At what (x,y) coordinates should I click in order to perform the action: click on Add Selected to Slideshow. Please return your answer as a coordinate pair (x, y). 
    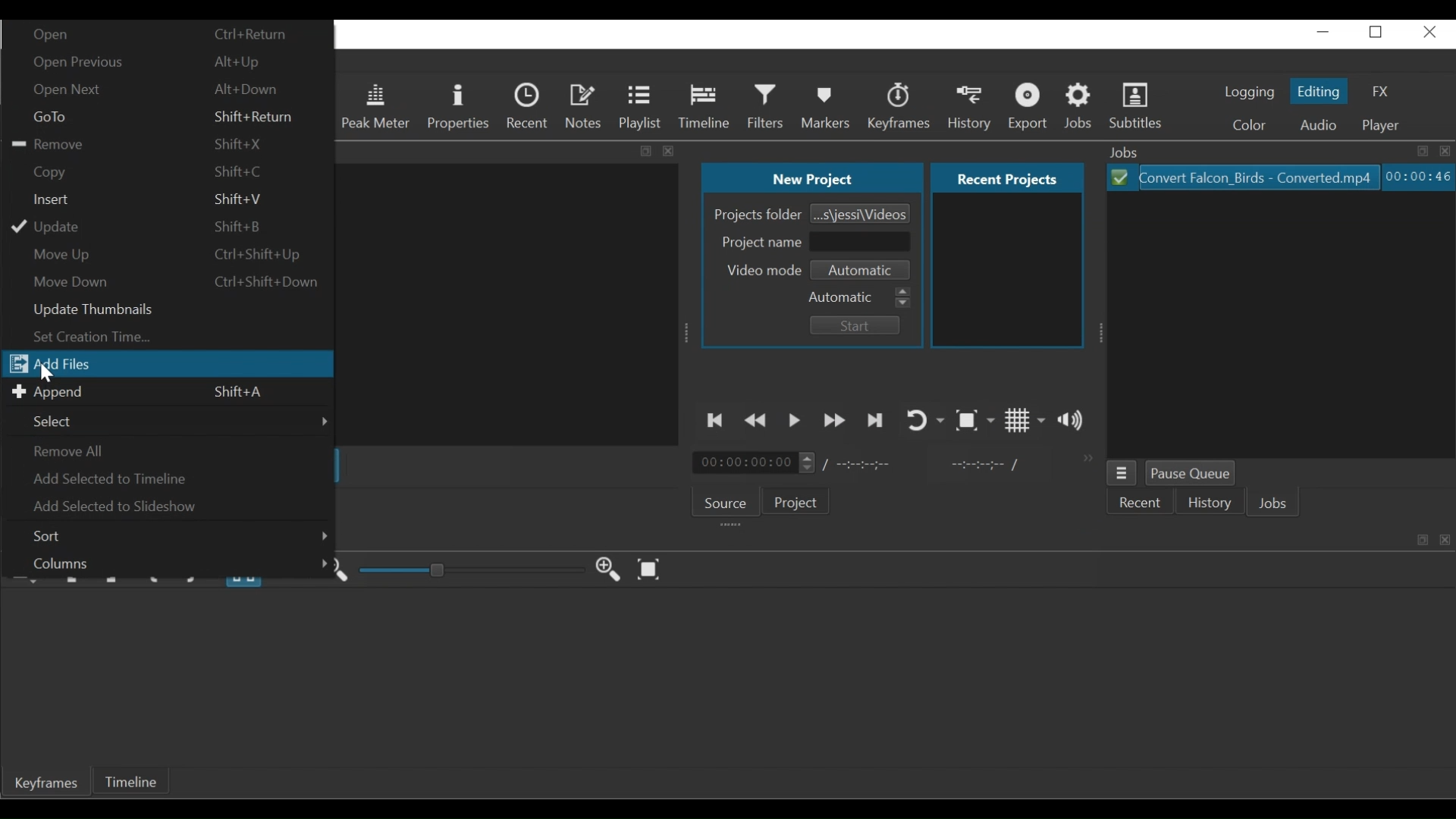
    Looking at the image, I should click on (174, 505).